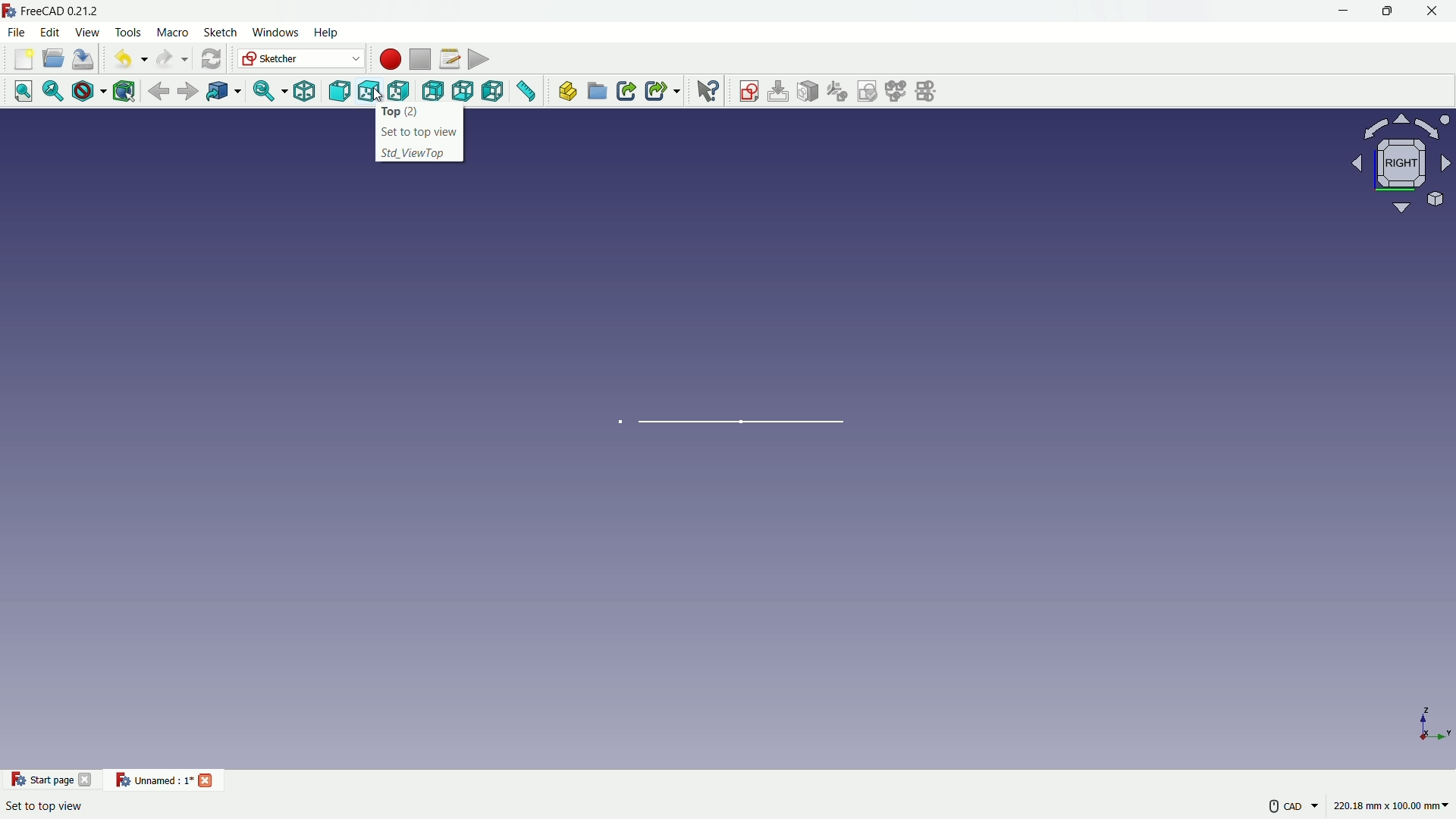 This screenshot has height=819, width=1456. What do you see at coordinates (127, 58) in the screenshot?
I see `undo` at bounding box center [127, 58].